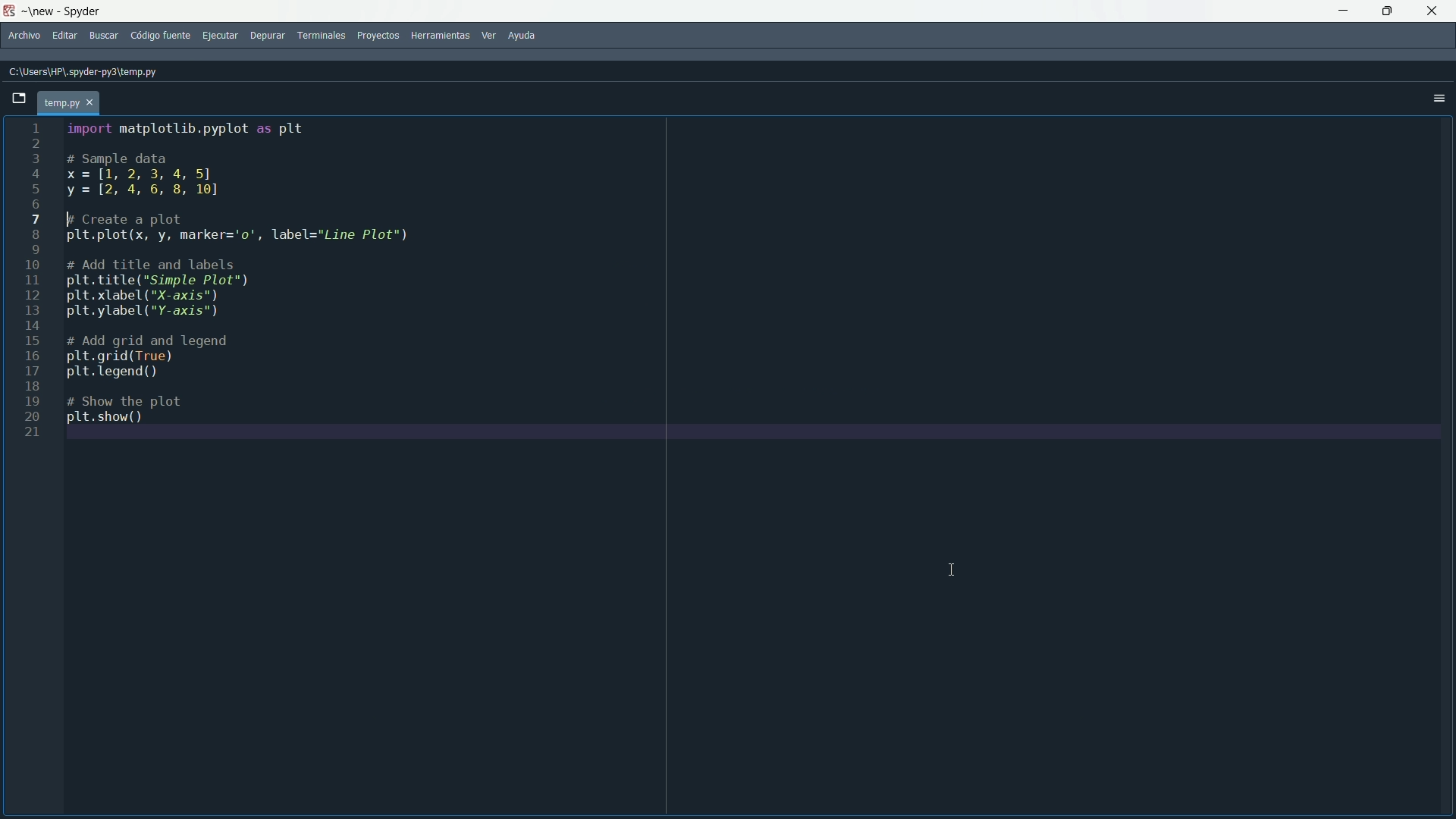 Image resolution: width=1456 pixels, height=819 pixels. I want to click on ejecutar, so click(221, 36).